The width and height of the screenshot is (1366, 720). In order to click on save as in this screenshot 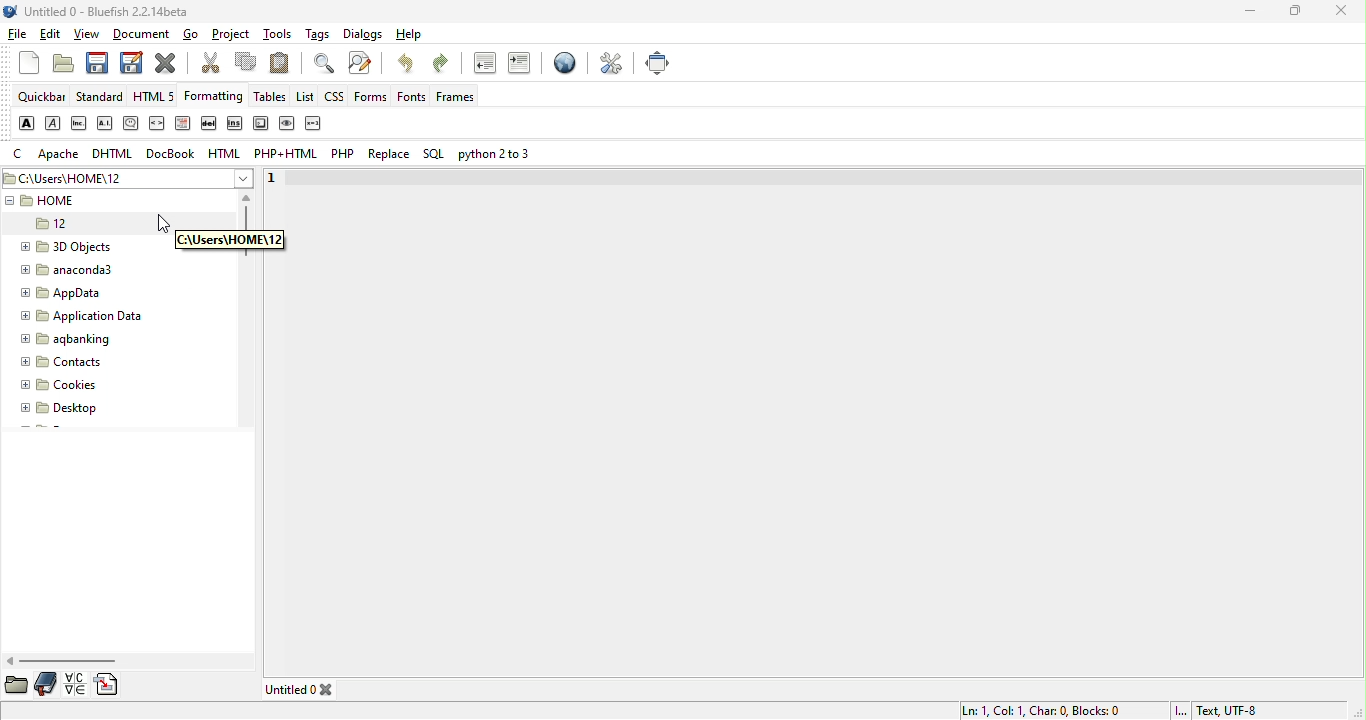, I will do `click(132, 66)`.